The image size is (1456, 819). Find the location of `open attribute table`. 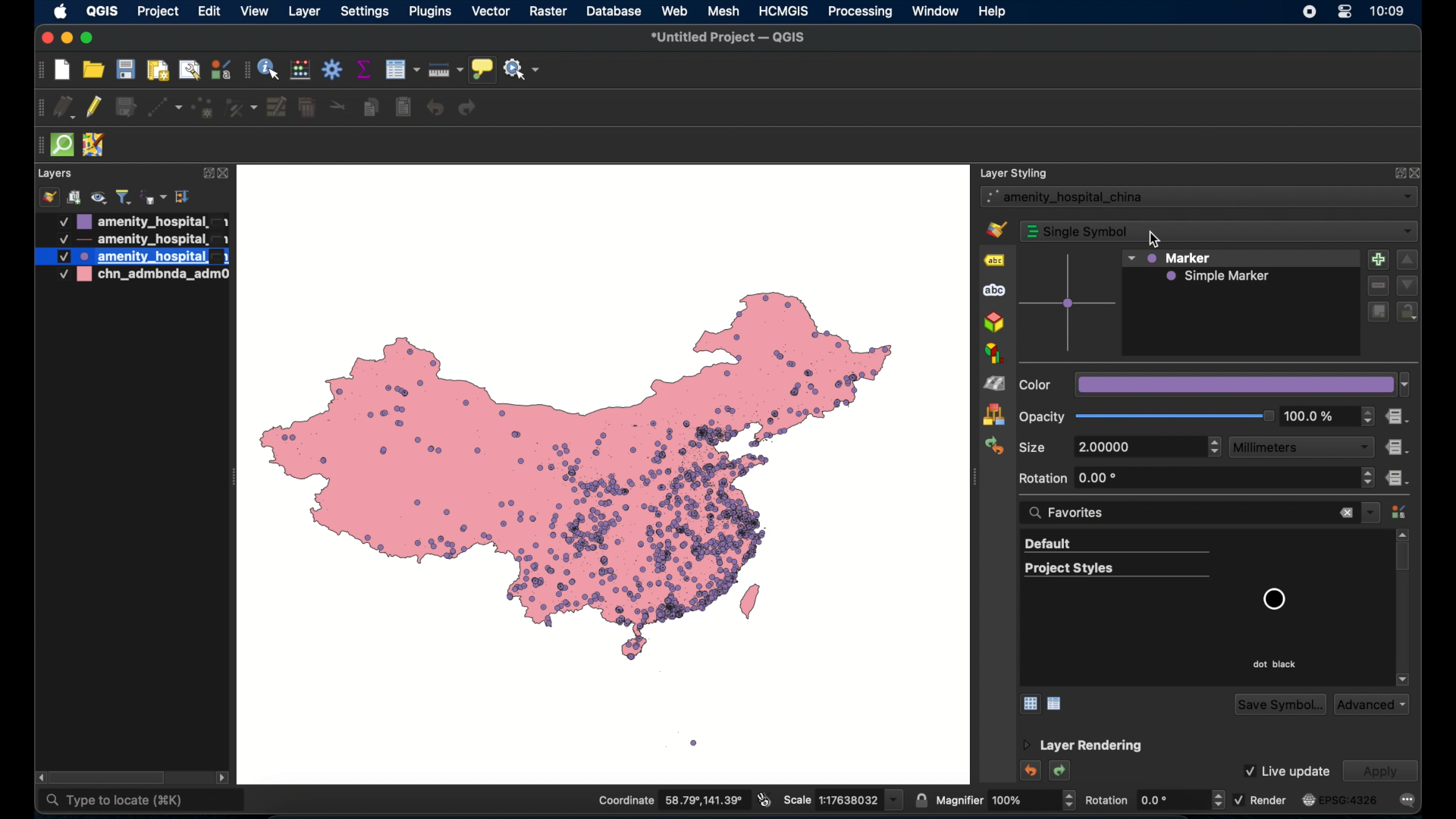

open attribute table is located at coordinates (401, 69).